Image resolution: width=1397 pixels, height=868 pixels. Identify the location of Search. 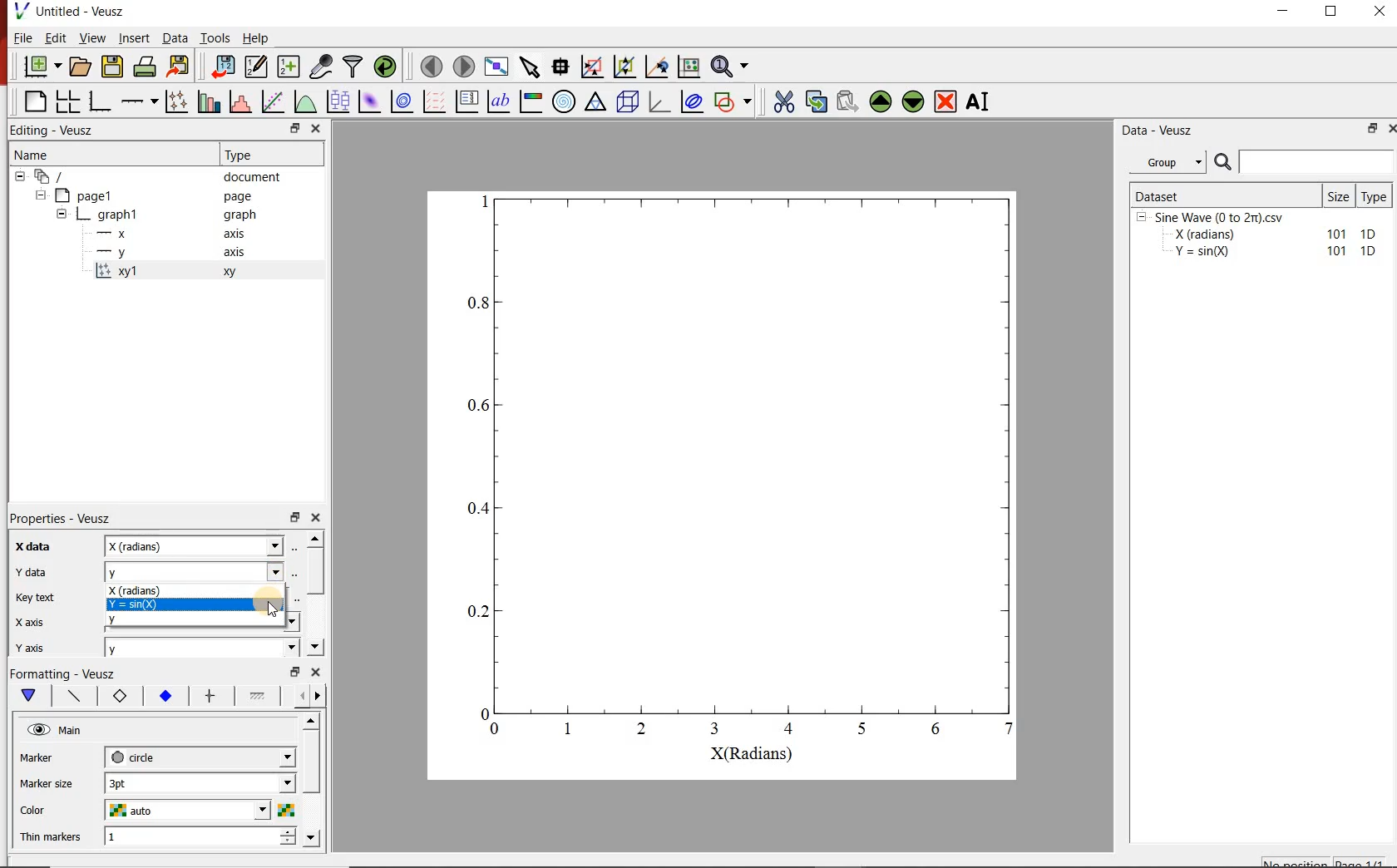
(1305, 162).